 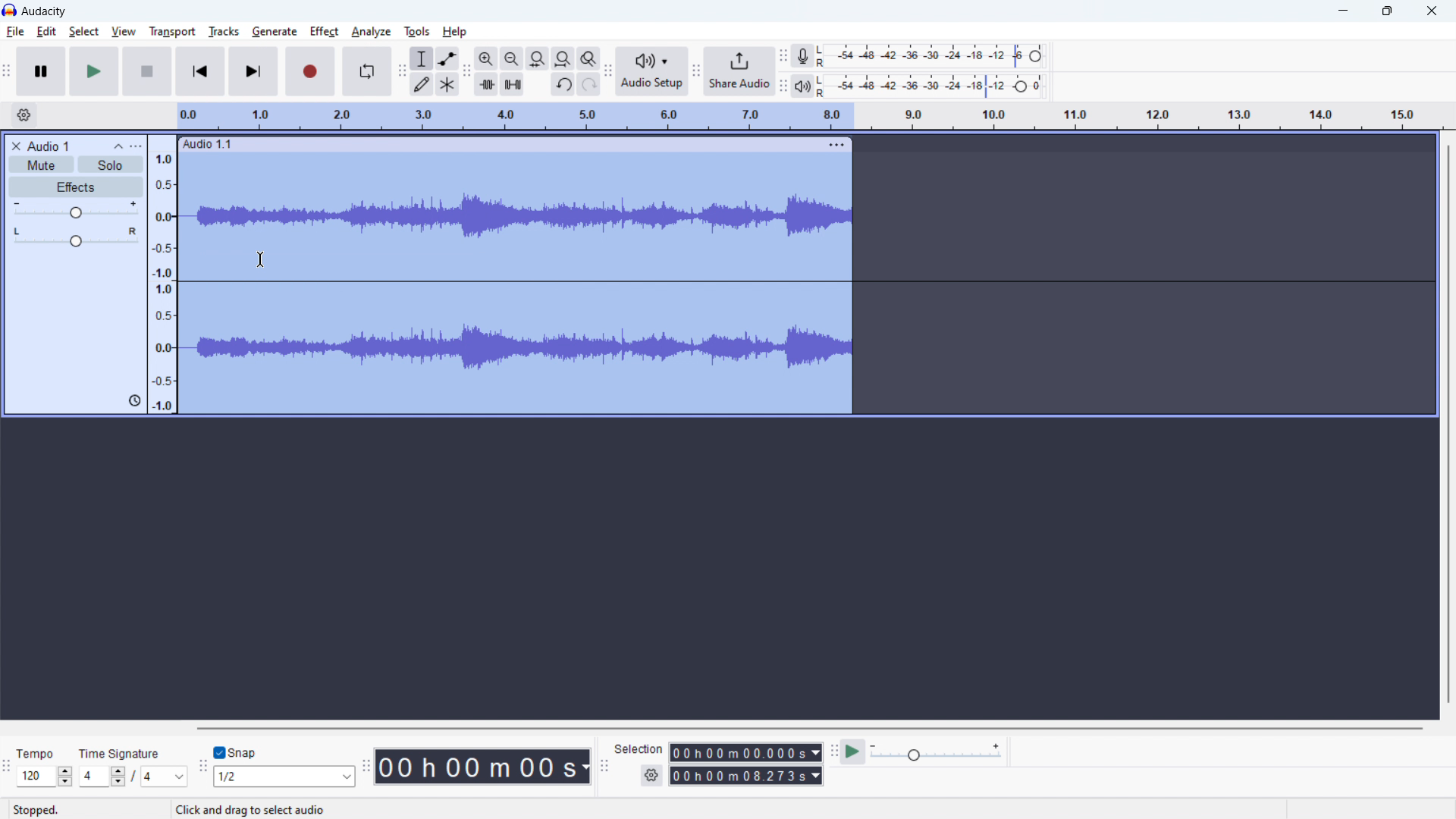 What do you see at coordinates (199, 766) in the screenshot?
I see `snapping toolbar` at bounding box center [199, 766].